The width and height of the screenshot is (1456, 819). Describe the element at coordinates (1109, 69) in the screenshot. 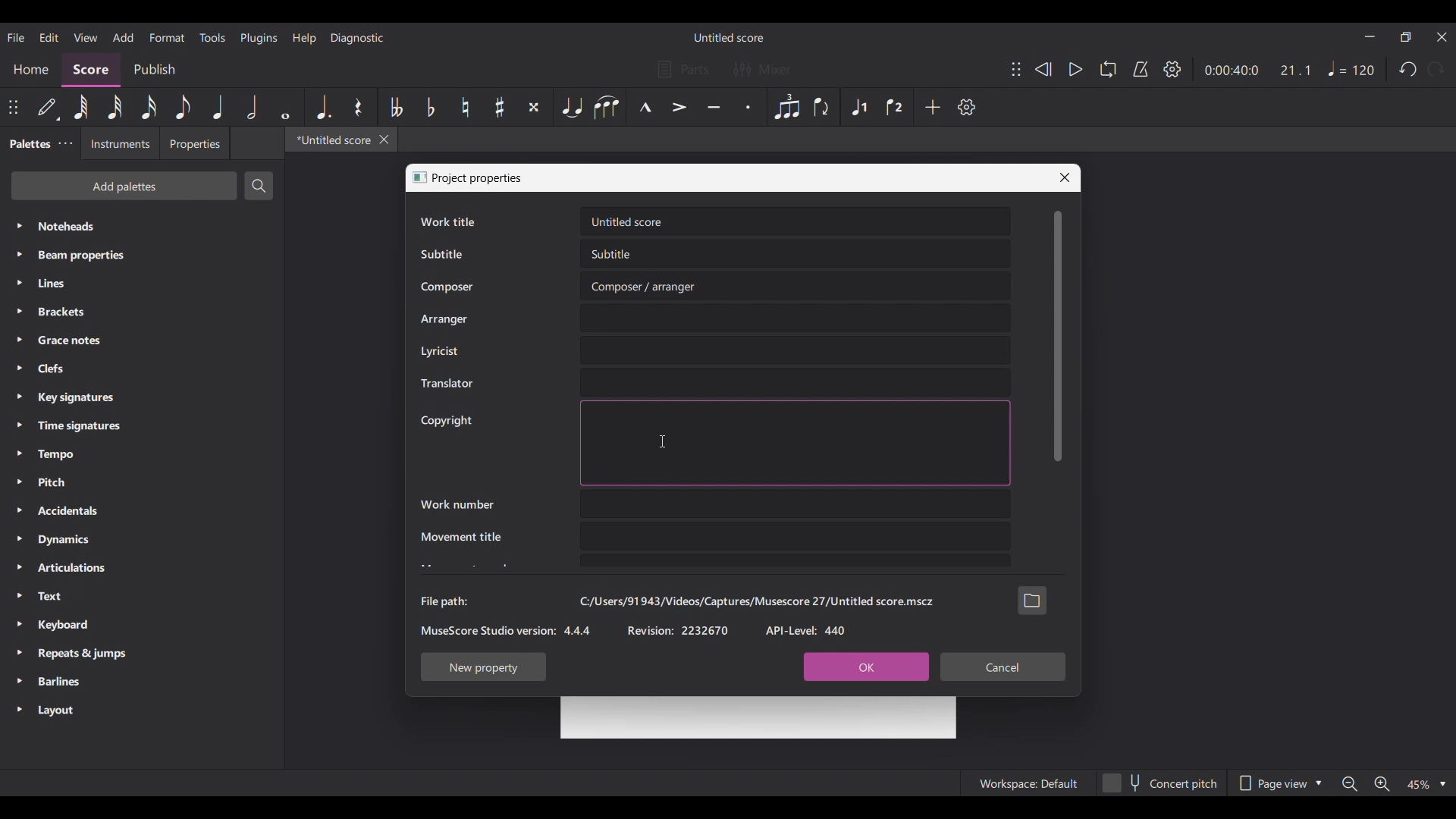

I see `Loop playback` at that location.